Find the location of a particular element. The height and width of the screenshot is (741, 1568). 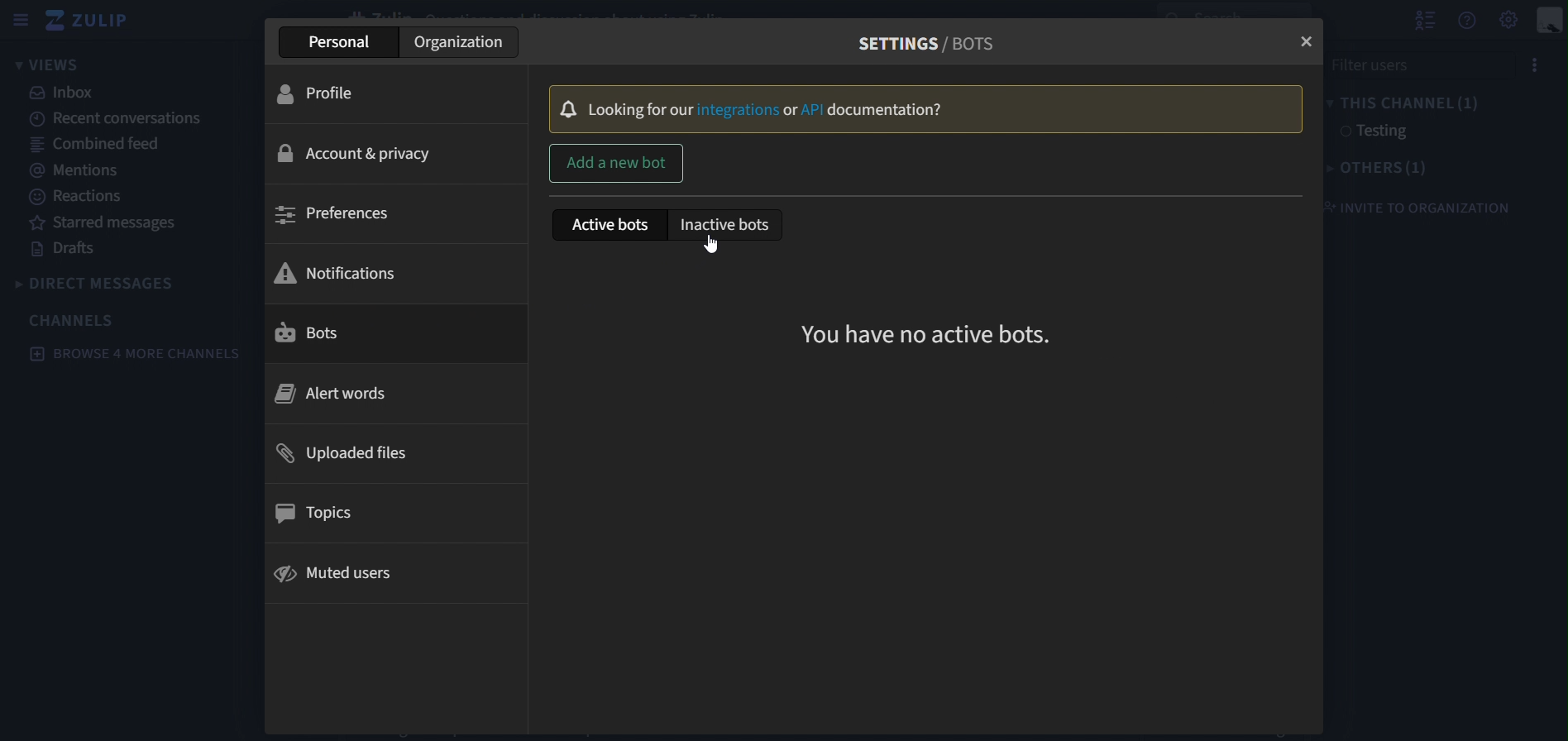

close is located at coordinates (1308, 43).